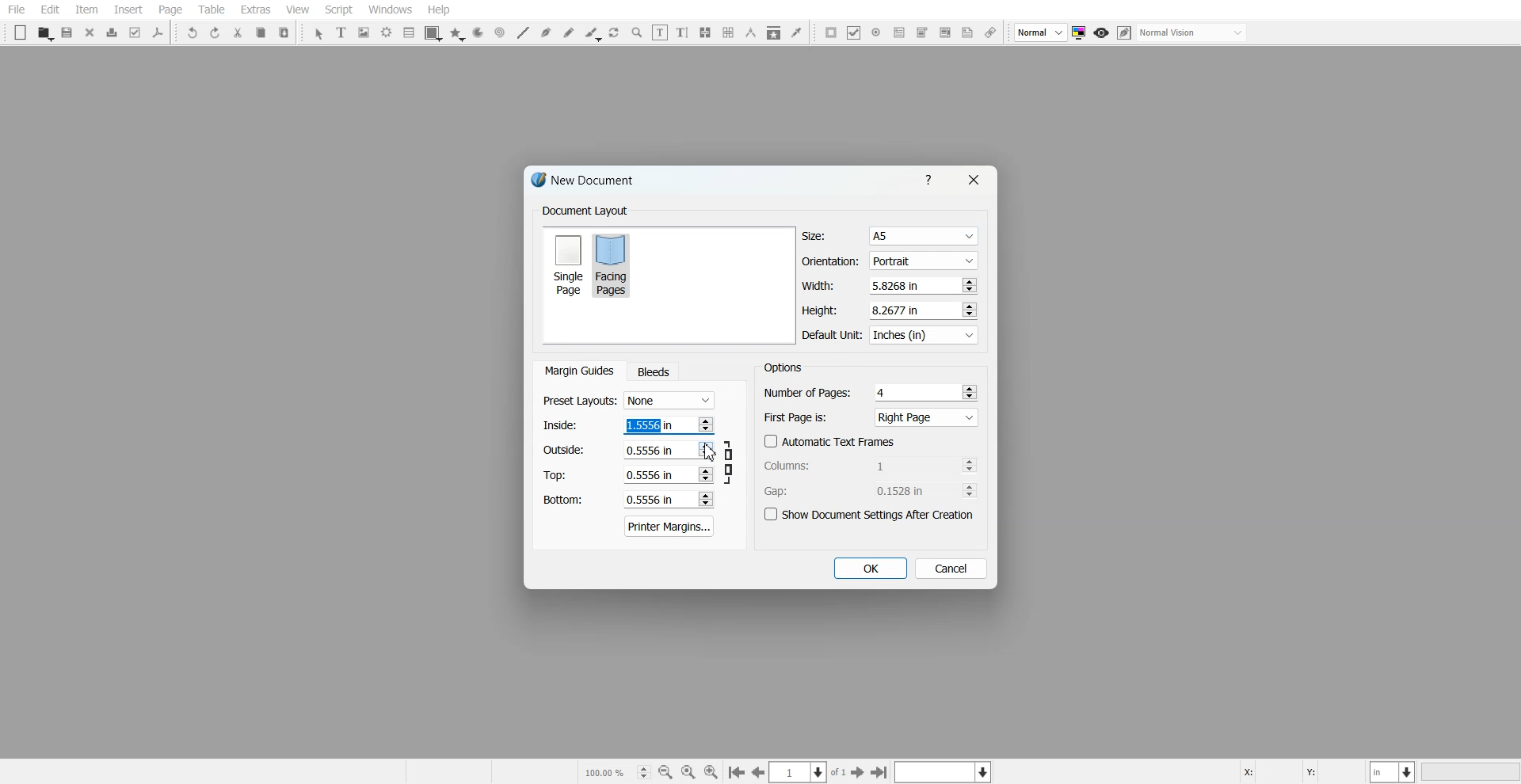 The width and height of the screenshot is (1521, 784). Describe the element at coordinates (705, 475) in the screenshot. I see `Increase and decrease No. ` at that location.